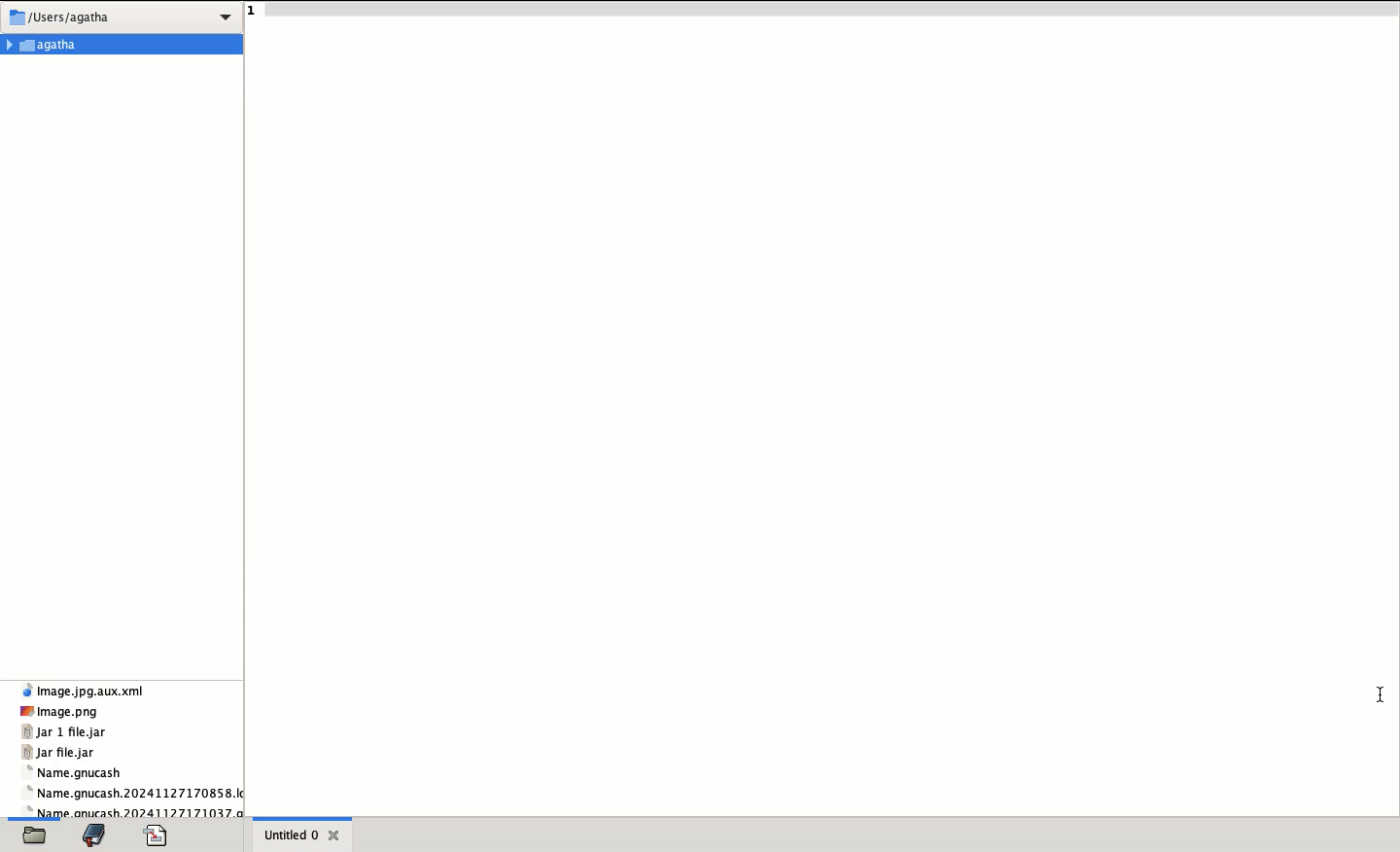 Image resolution: width=1400 pixels, height=852 pixels. What do you see at coordinates (289, 834) in the screenshot?
I see `untitled` at bounding box center [289, 834].